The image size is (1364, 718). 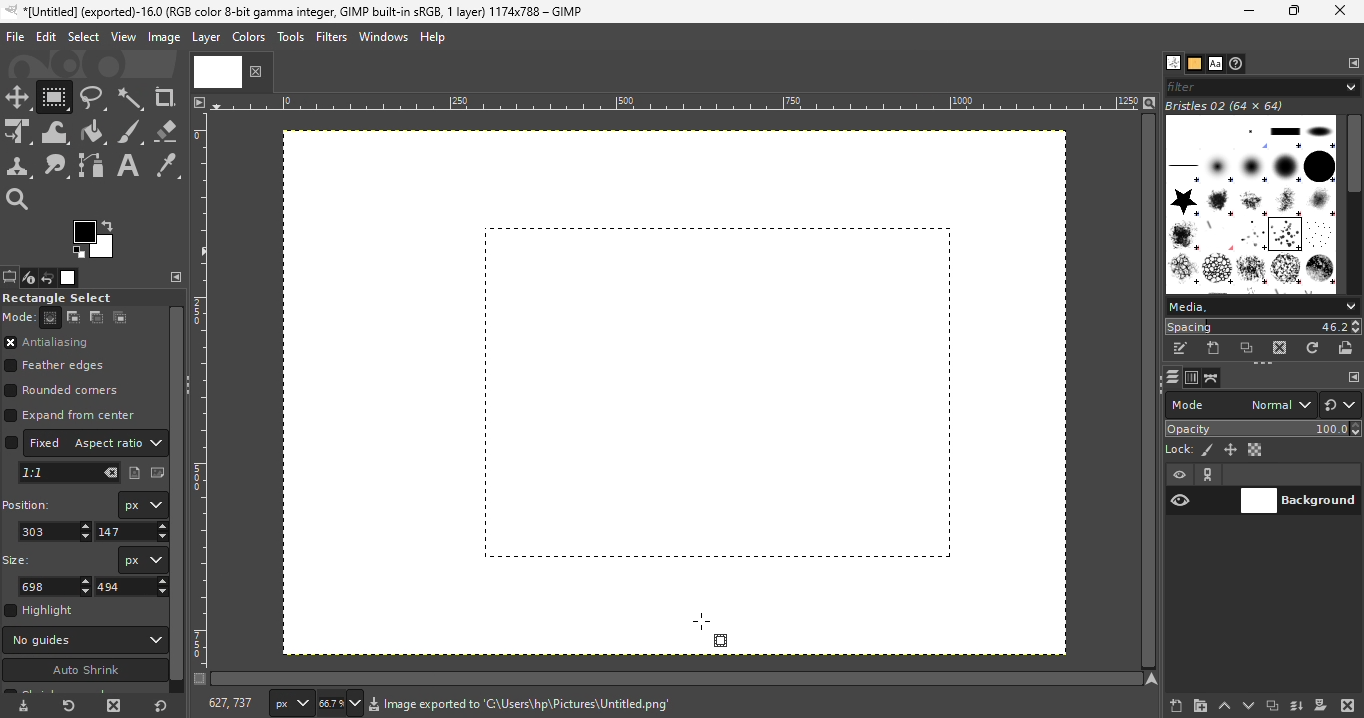 What do you see at coordinates (19, 132) in the screenshot?
I see `Unified transform tool` at bounding box center [19, 132].